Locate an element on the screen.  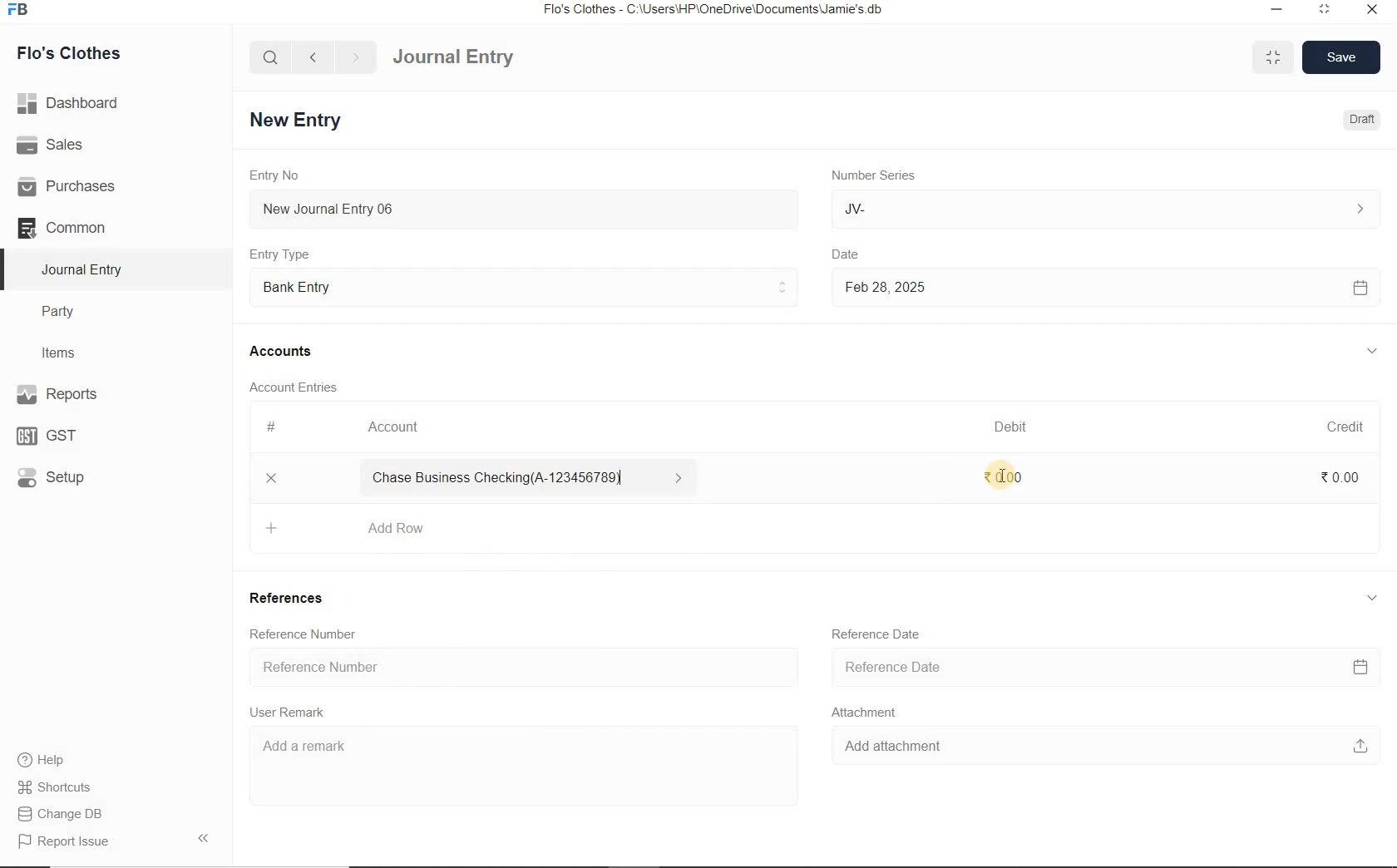
delete is located at coordinates (272, 480).